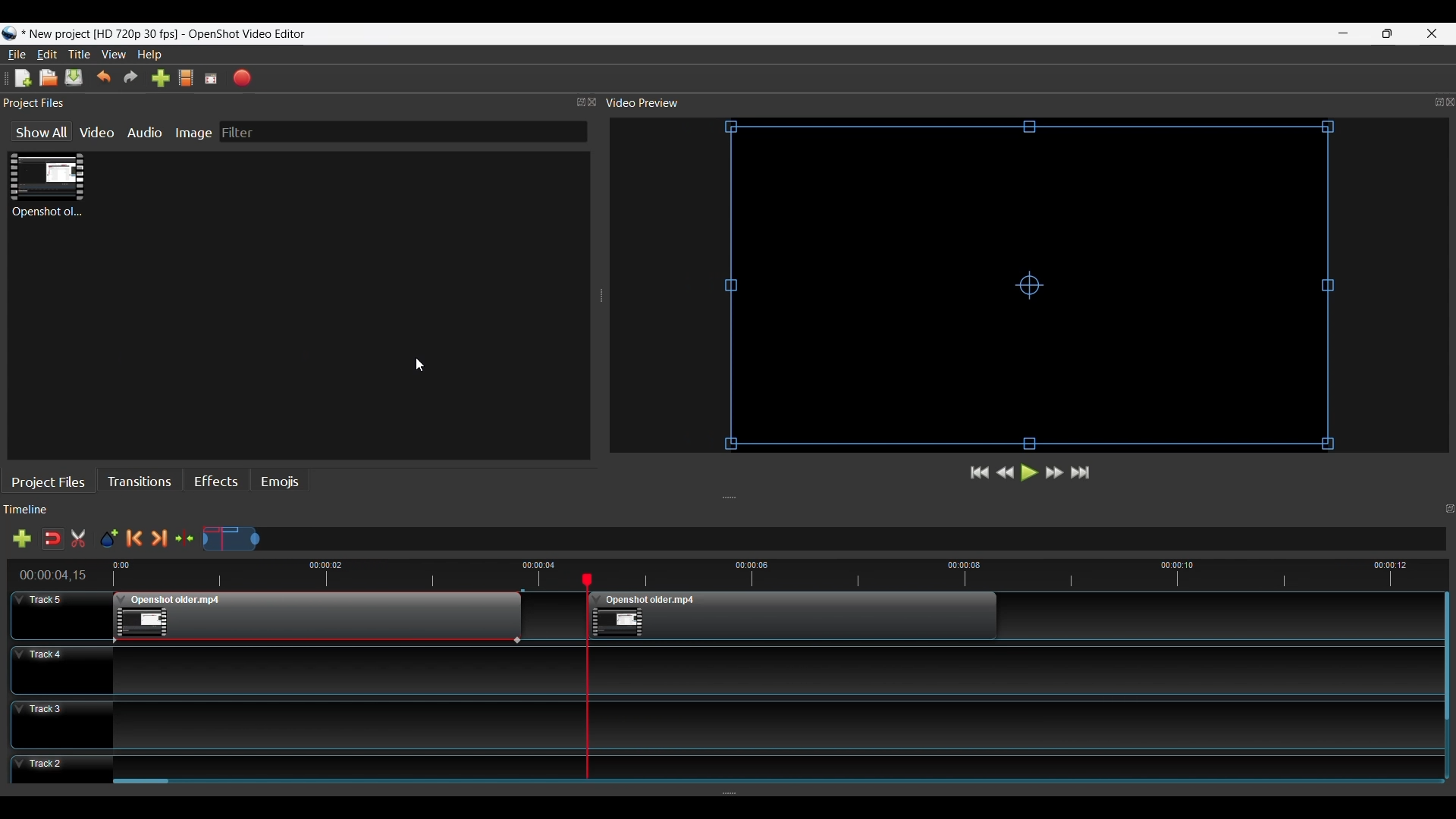  I want to click on Add track, so click(19, 540).